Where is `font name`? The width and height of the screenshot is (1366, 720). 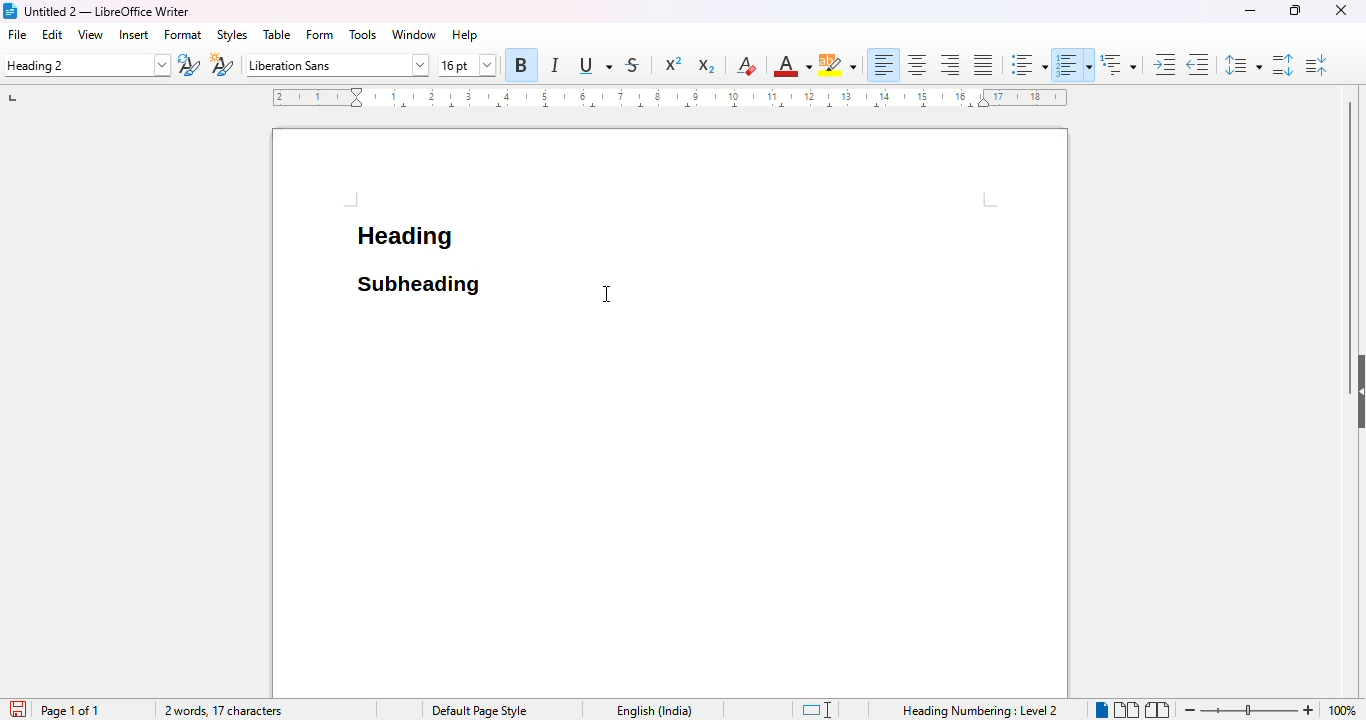 font name is located at coordinates (338, 65).